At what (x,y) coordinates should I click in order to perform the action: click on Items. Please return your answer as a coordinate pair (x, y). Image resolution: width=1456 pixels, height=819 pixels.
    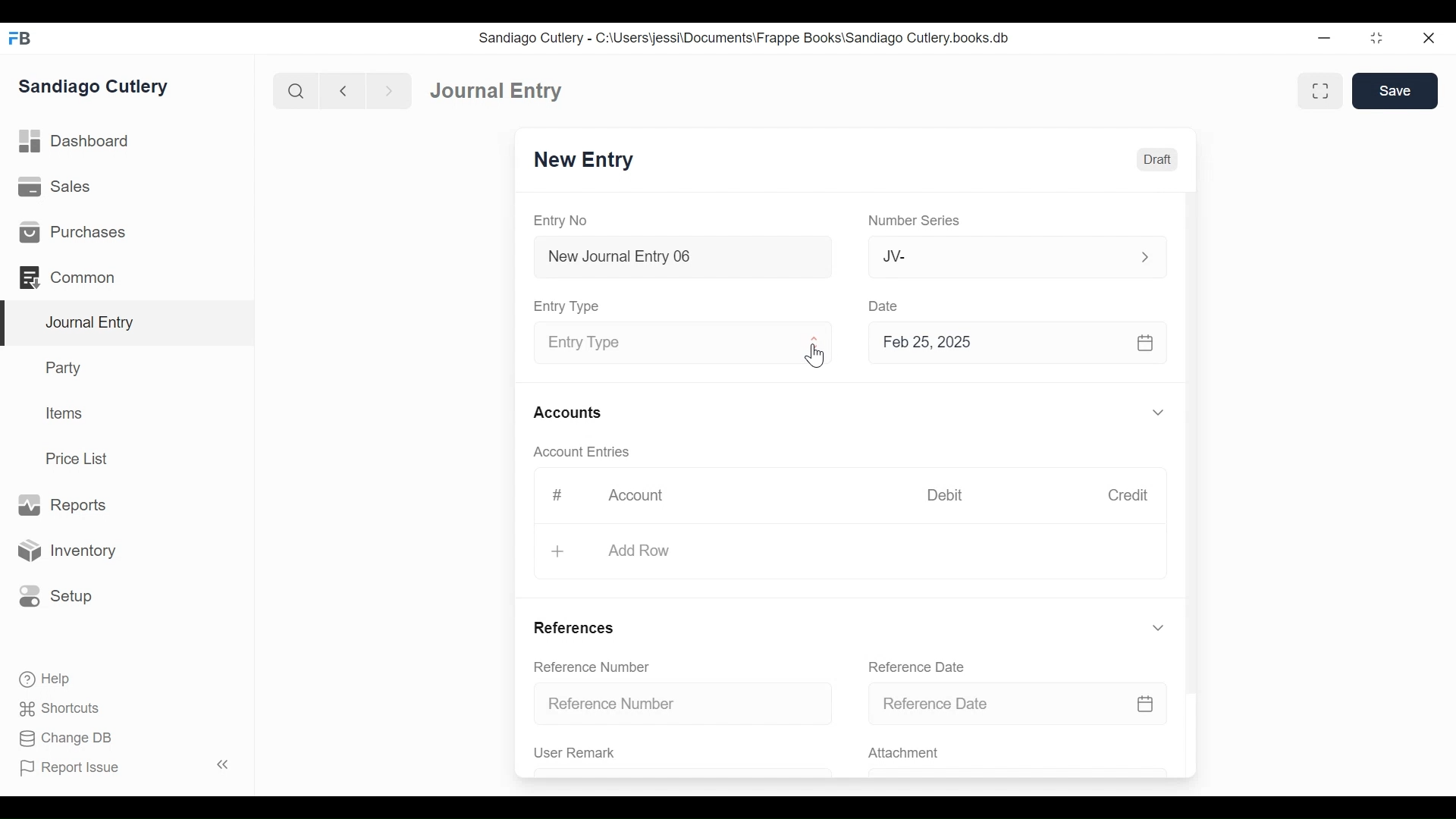
    Looking at the image, I should click on (65, 413).